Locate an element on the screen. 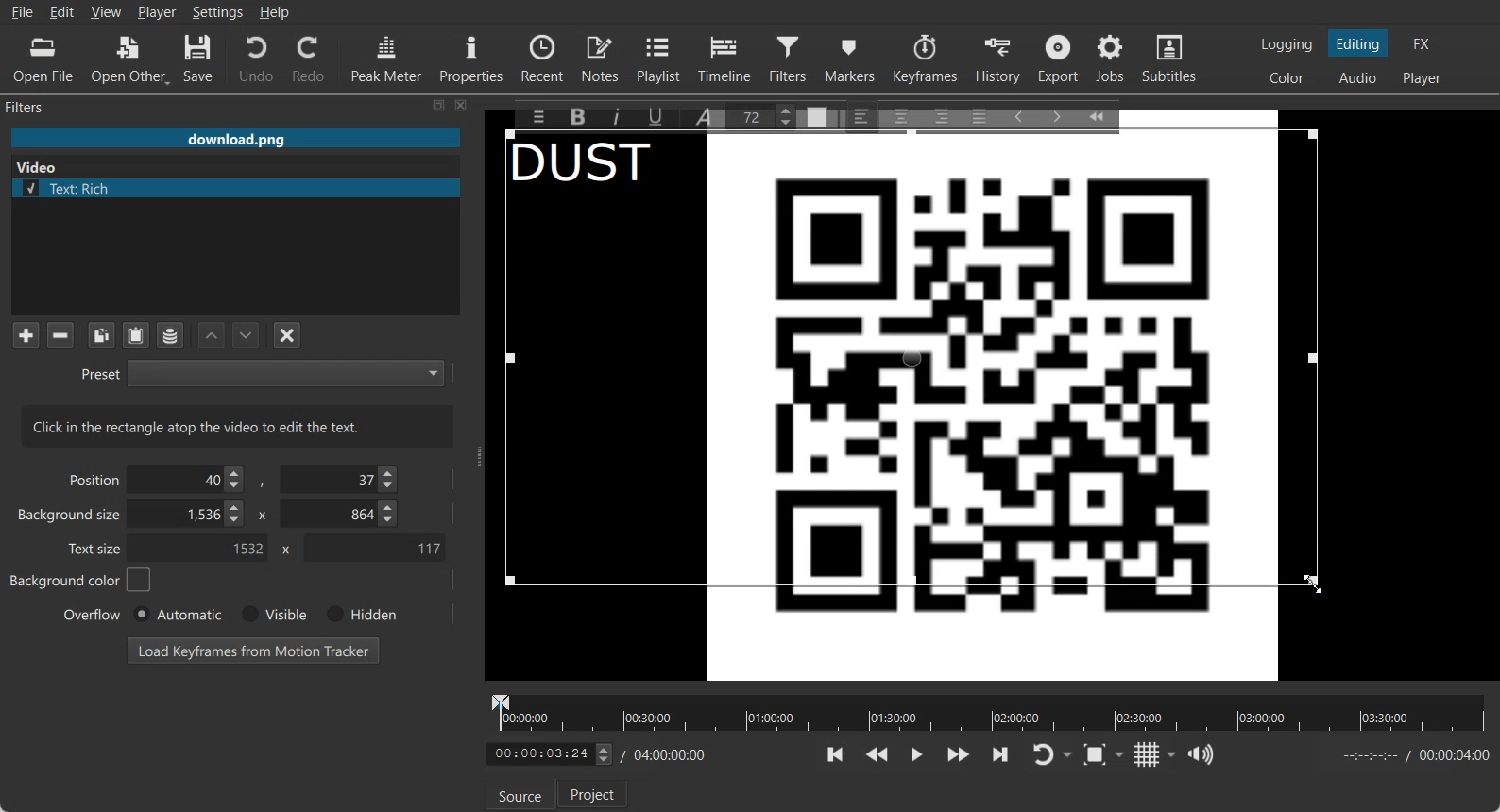 The height and width of the screenshot is (812, 1500). Video is located at coordinates (41, 165).